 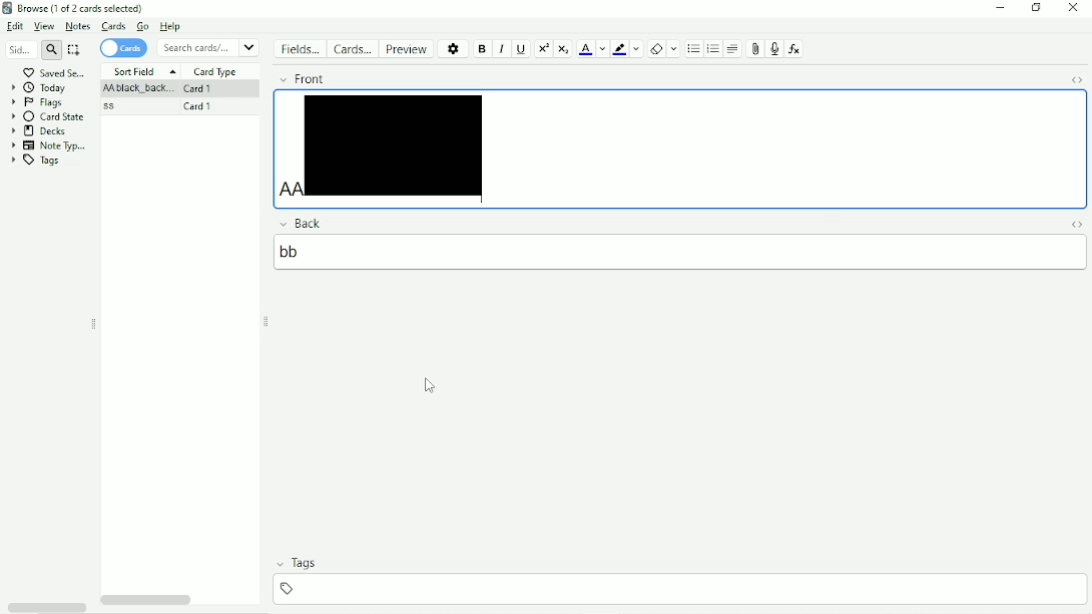 I want to click on insert back description, so click(x=675, y=253).